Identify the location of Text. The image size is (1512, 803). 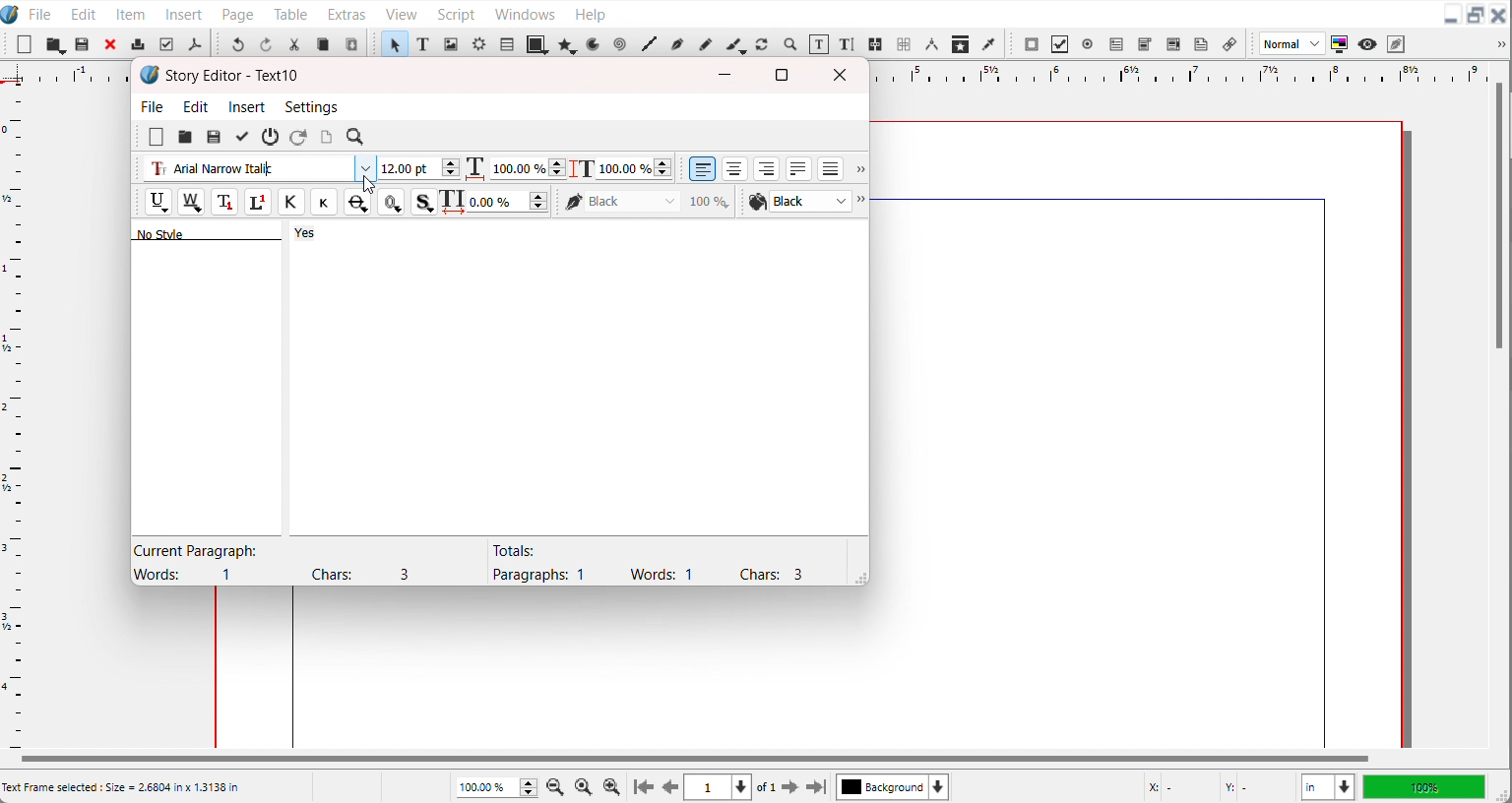
(647, 562).